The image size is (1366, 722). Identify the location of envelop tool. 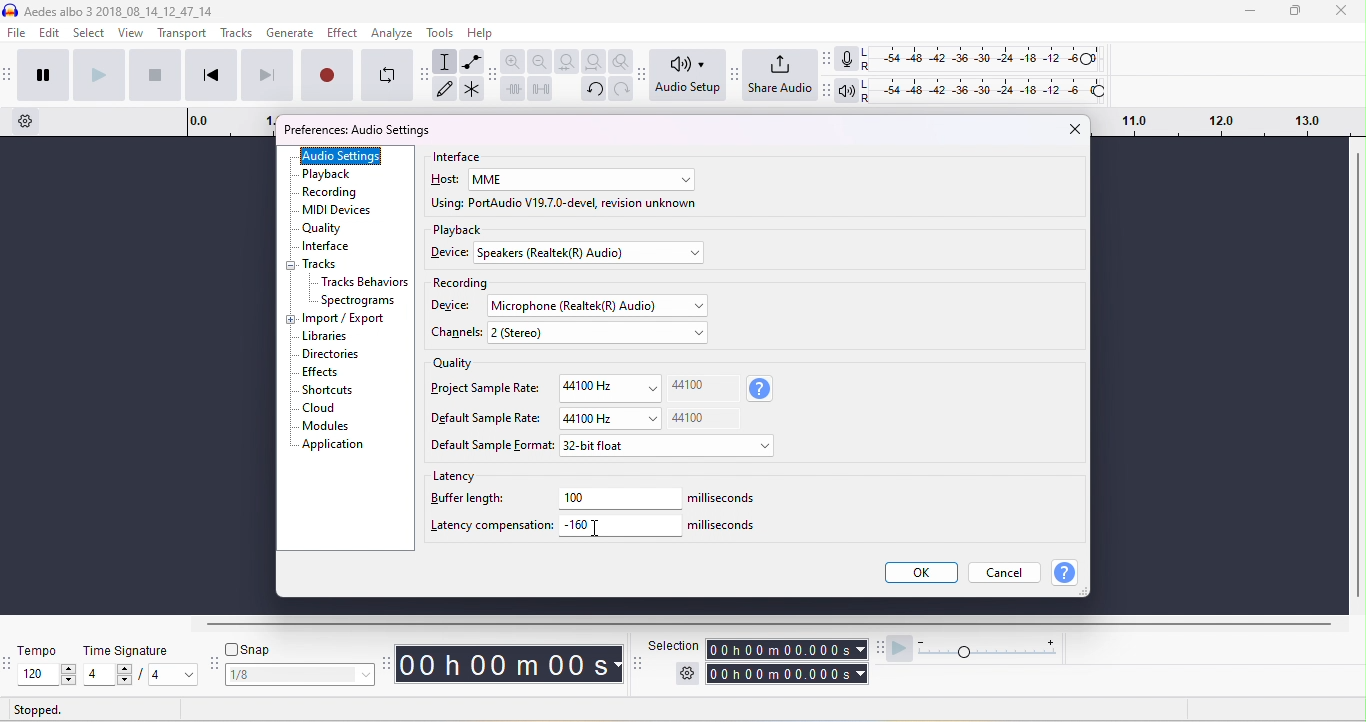
(473, 63).